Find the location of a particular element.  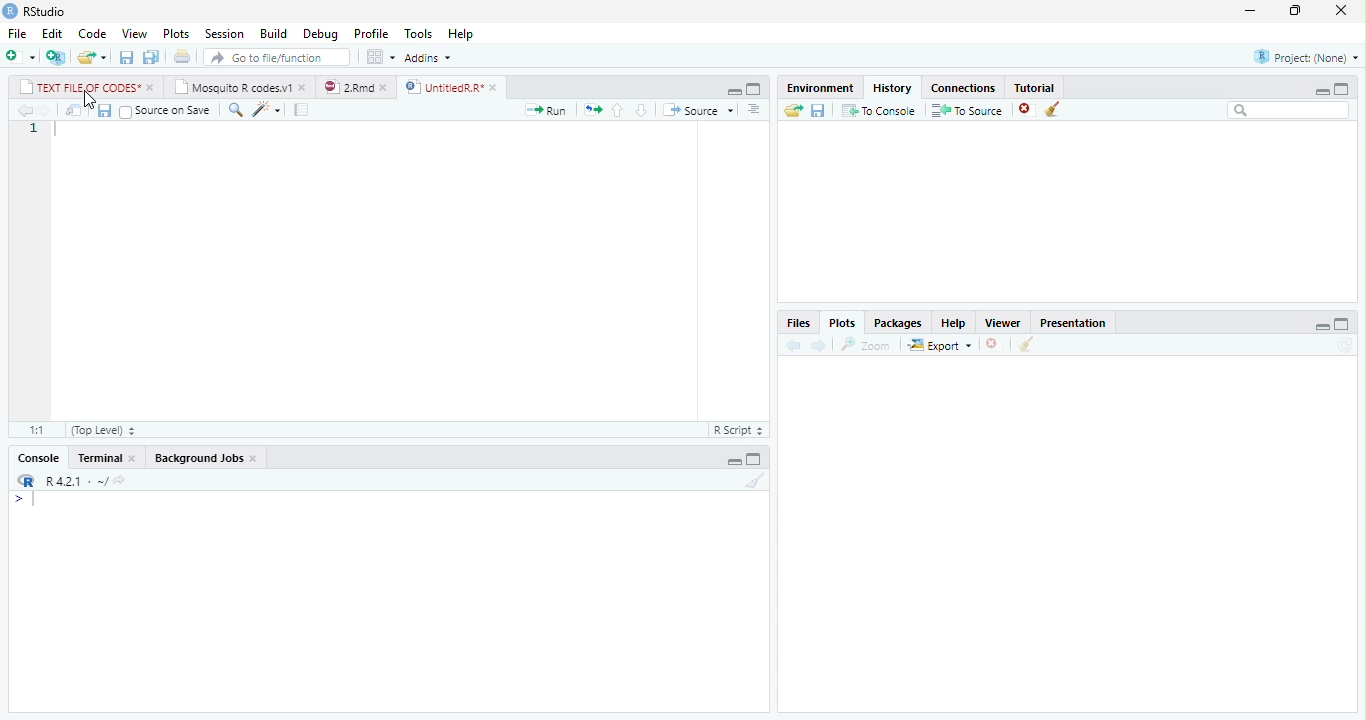

View is located at coordinates (135, 33).